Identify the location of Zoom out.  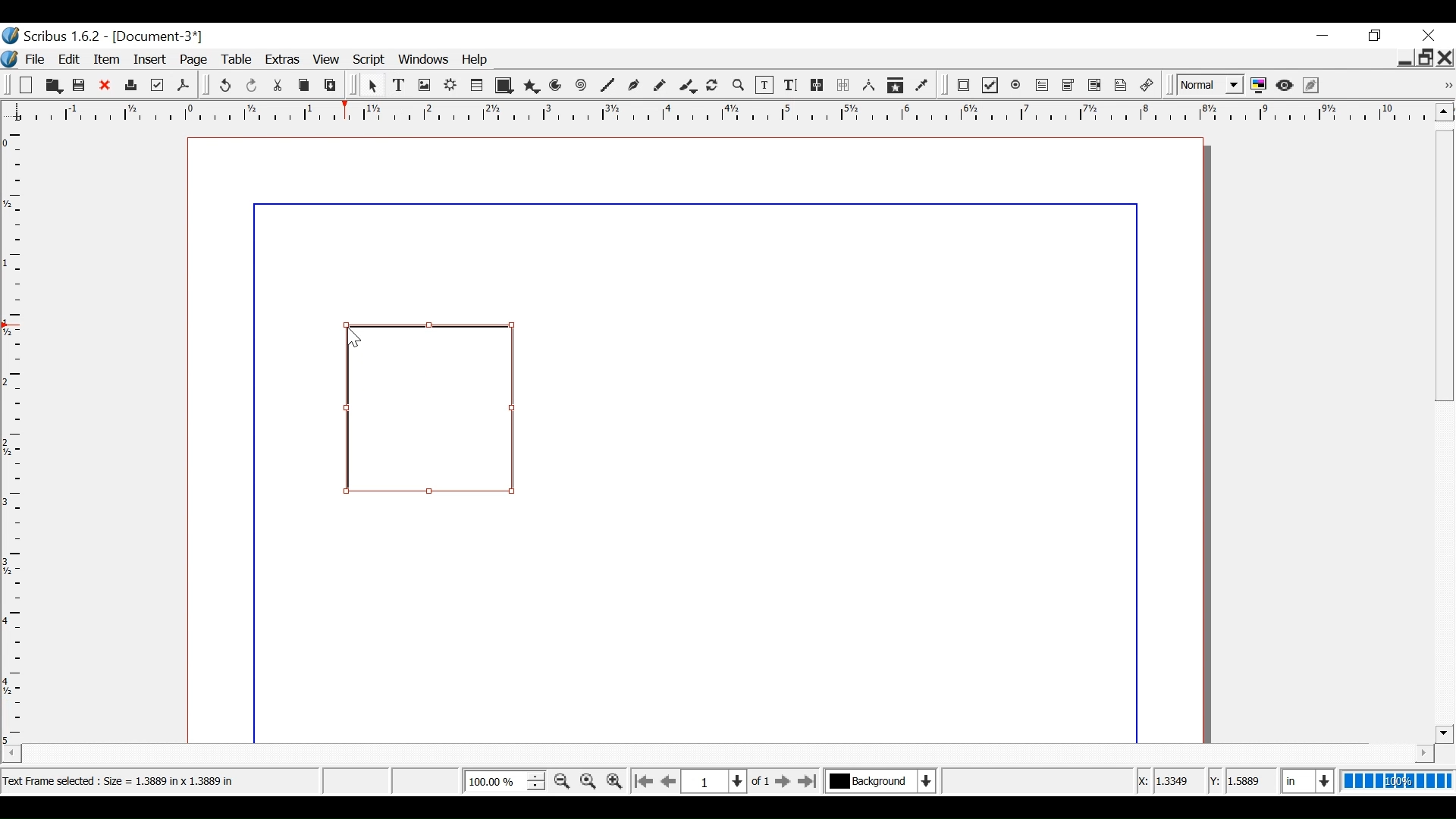
(562, 780).